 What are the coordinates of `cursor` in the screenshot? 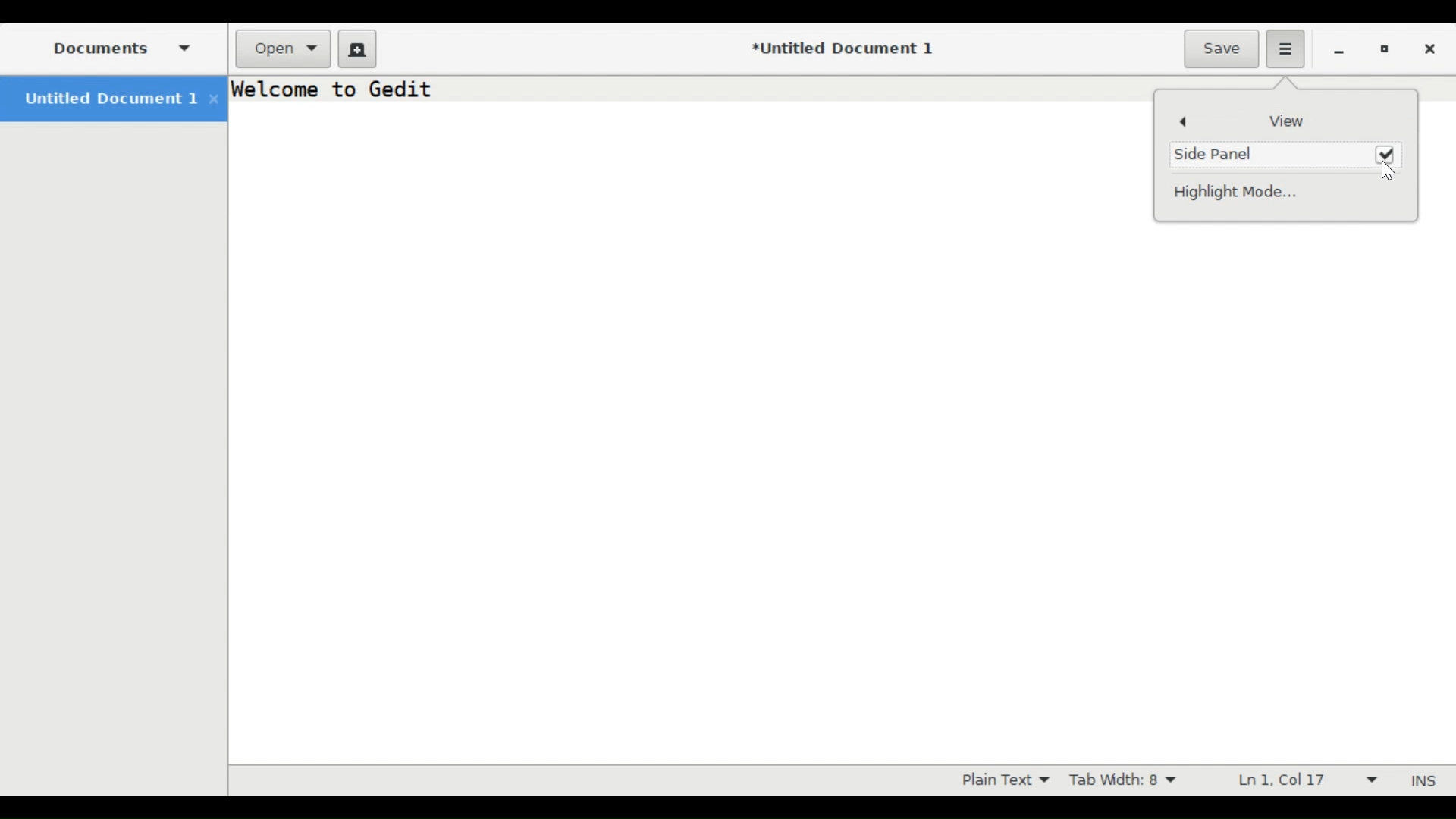 It's located at (1392, 172).